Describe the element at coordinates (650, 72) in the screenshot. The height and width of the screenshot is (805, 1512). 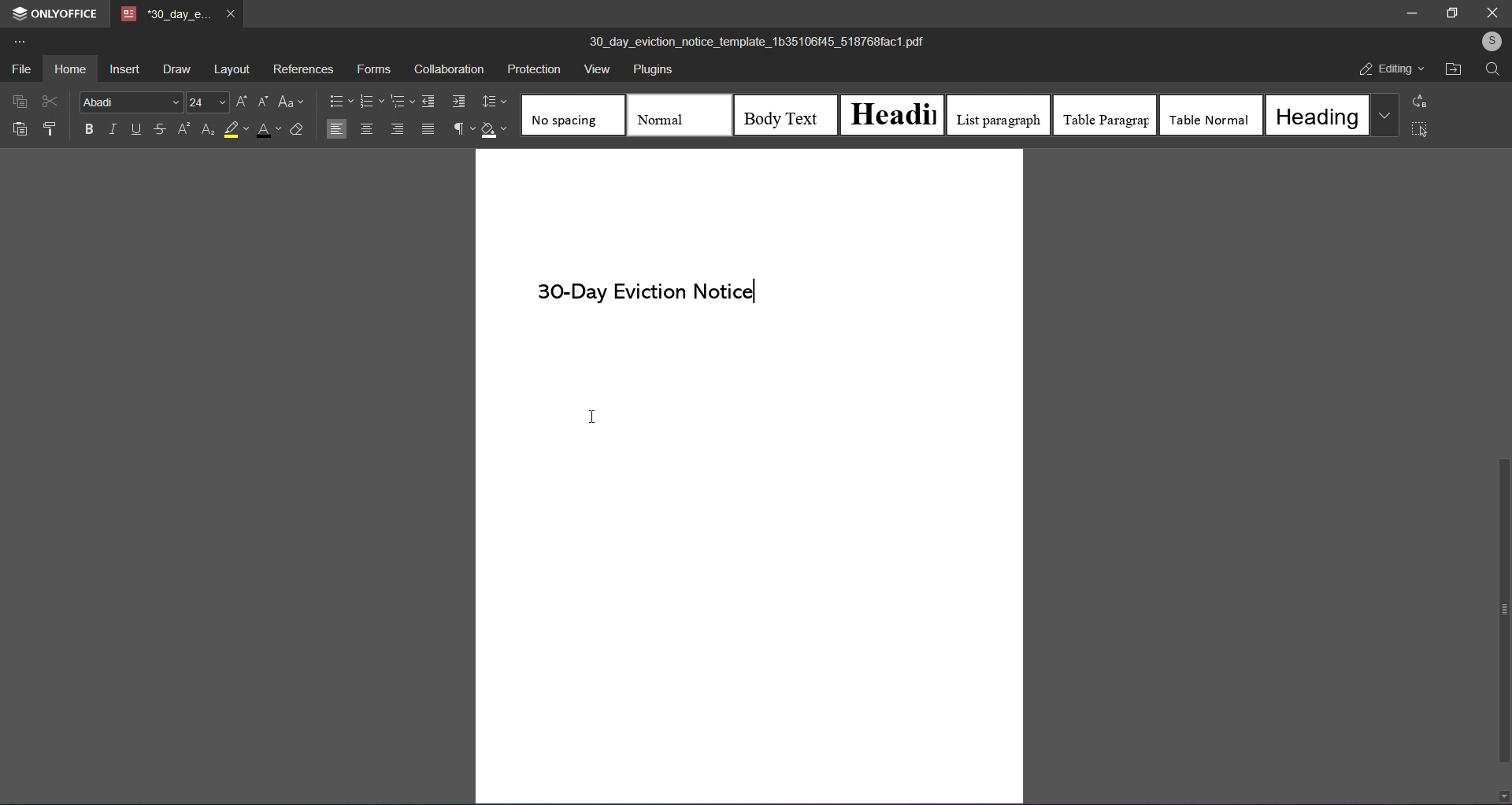
I see `plugins` at that location.